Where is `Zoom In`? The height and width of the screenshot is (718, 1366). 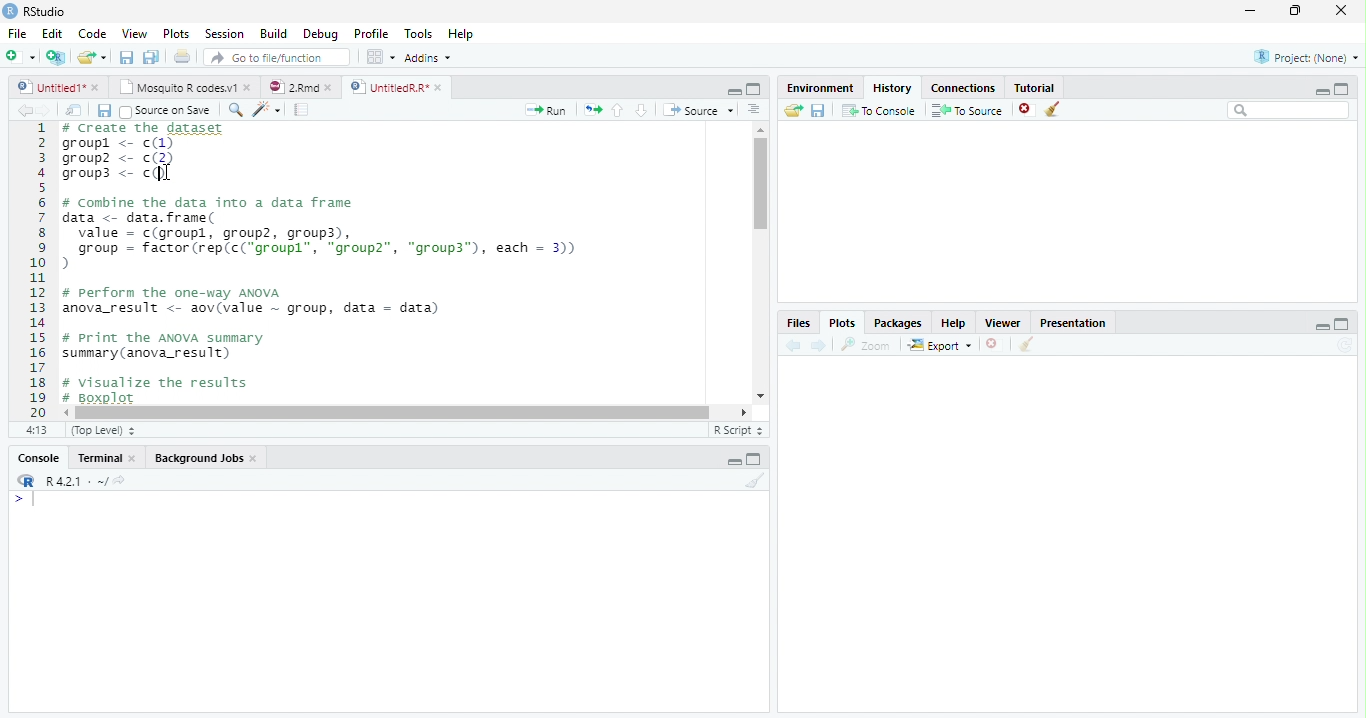
Zoom In is located at coordinates (234, 111).